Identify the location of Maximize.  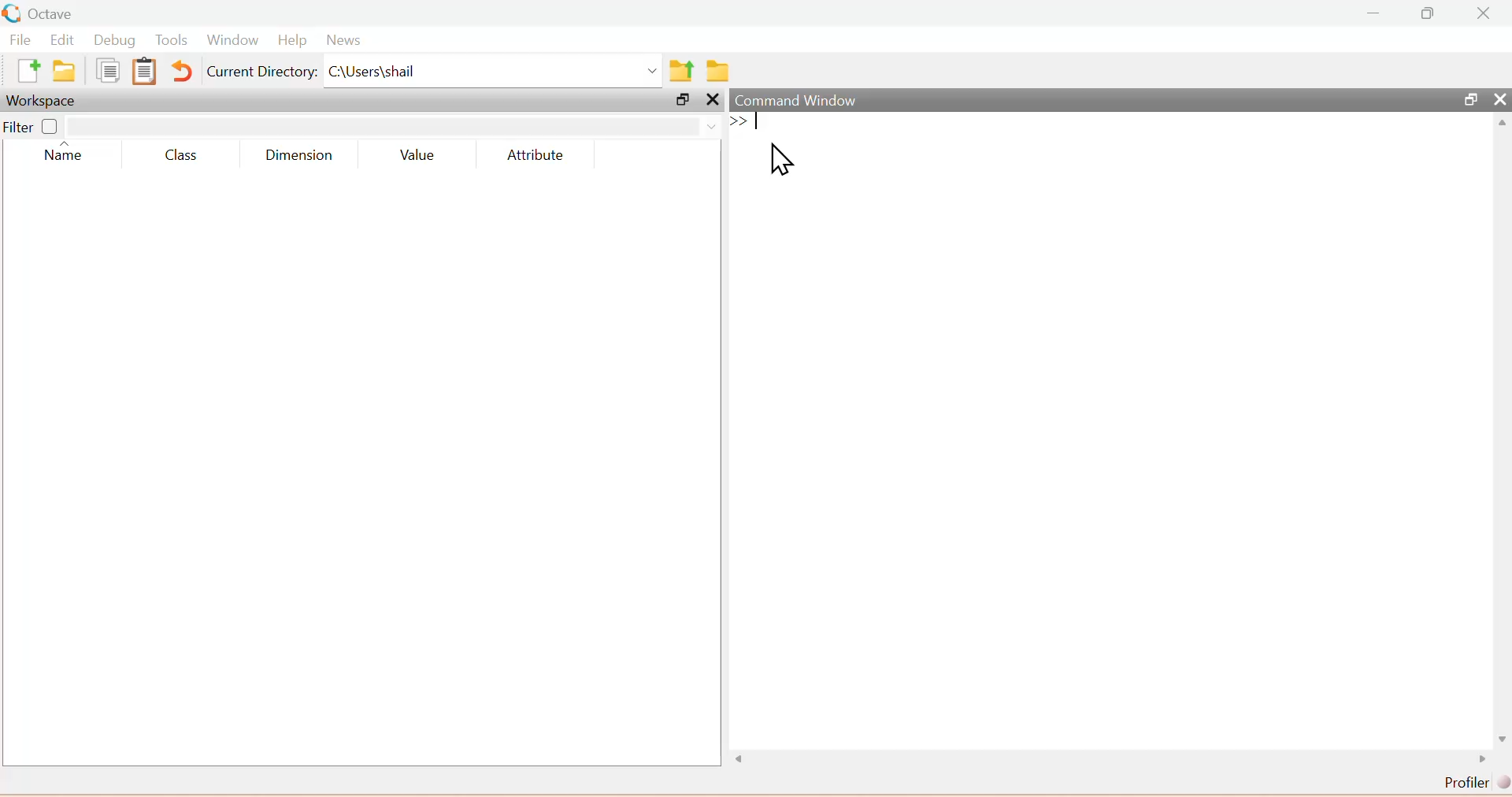
(1430, 13).